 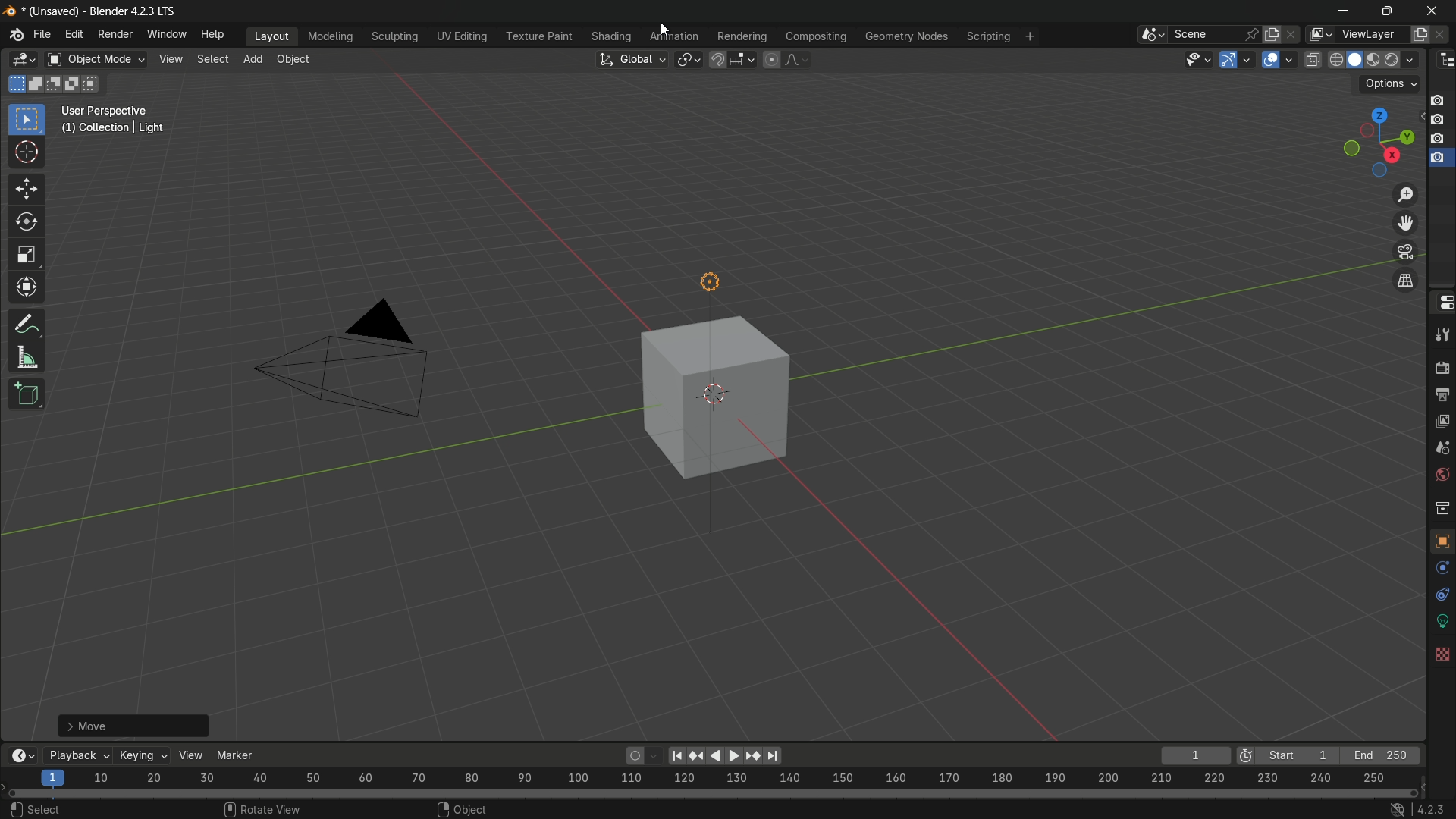 I want to click on object, so click(x=293, y=60).